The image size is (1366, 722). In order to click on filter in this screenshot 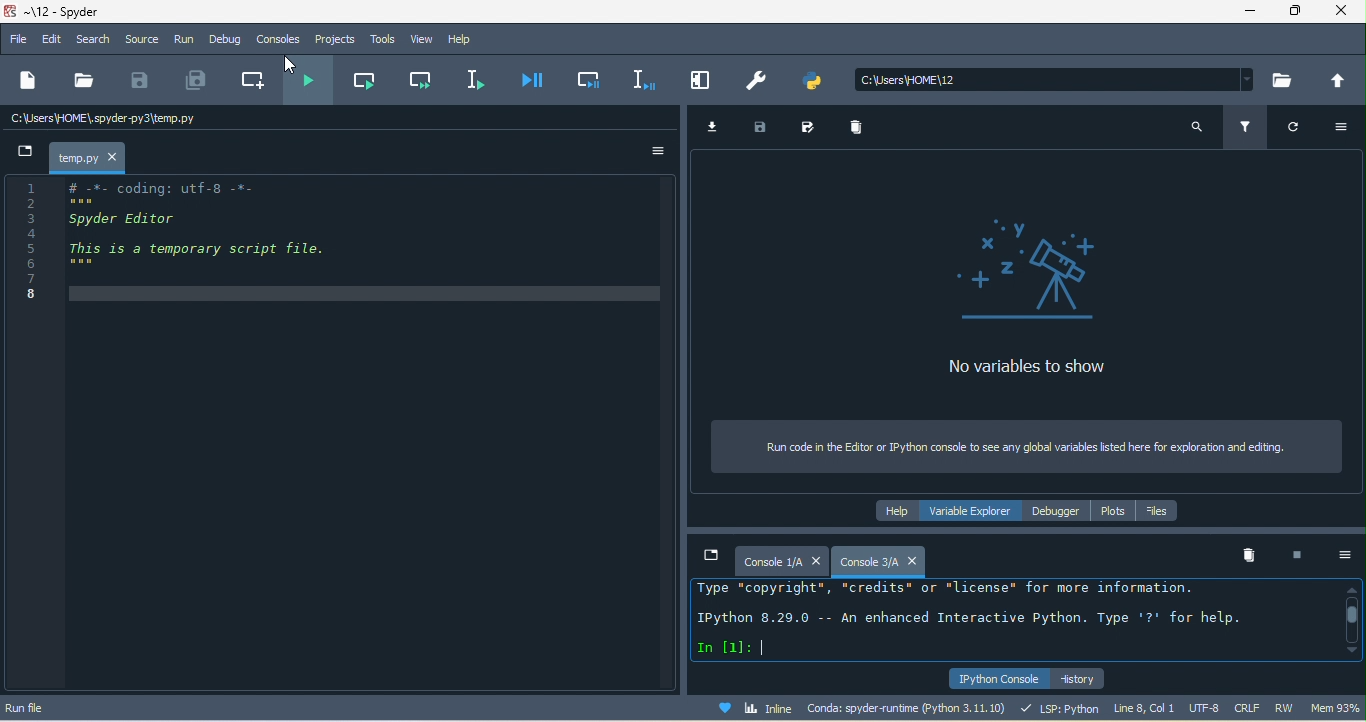, I will do `click(1244, 126)`.